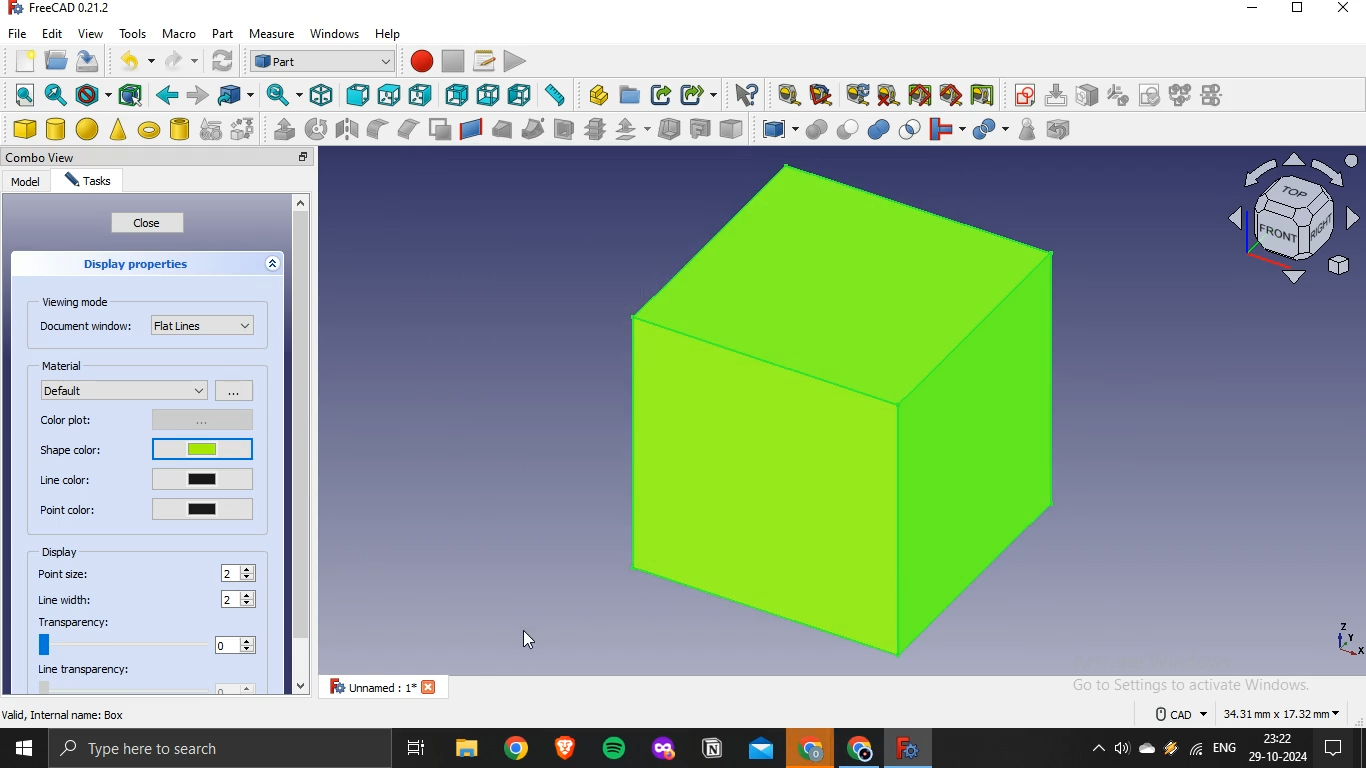  Describe the element at coordinates (857, 94) in the screenshot. I see `refresh` at that location.